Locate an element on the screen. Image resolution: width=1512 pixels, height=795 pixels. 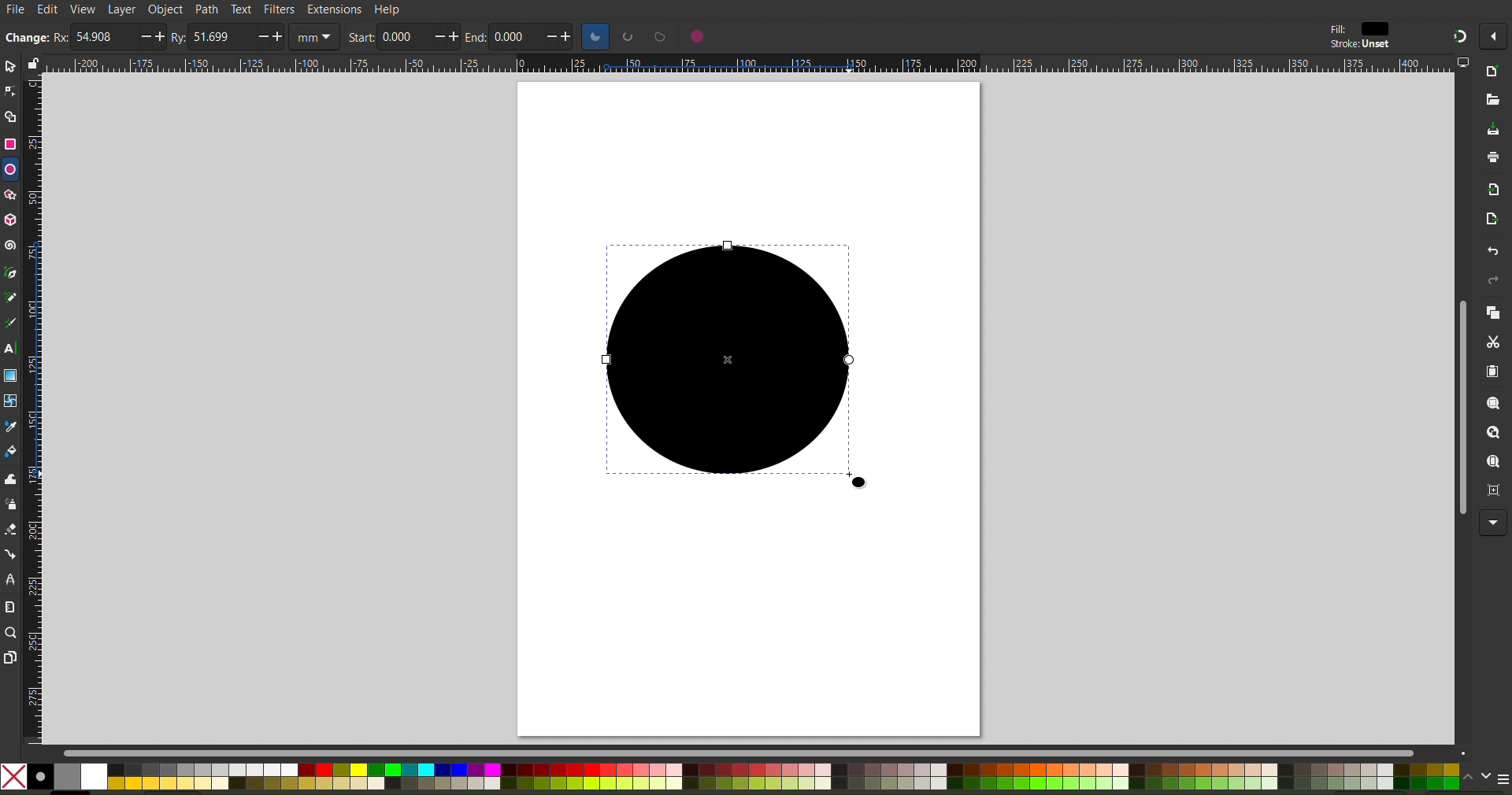
unit is located at coordinates (314, 35).